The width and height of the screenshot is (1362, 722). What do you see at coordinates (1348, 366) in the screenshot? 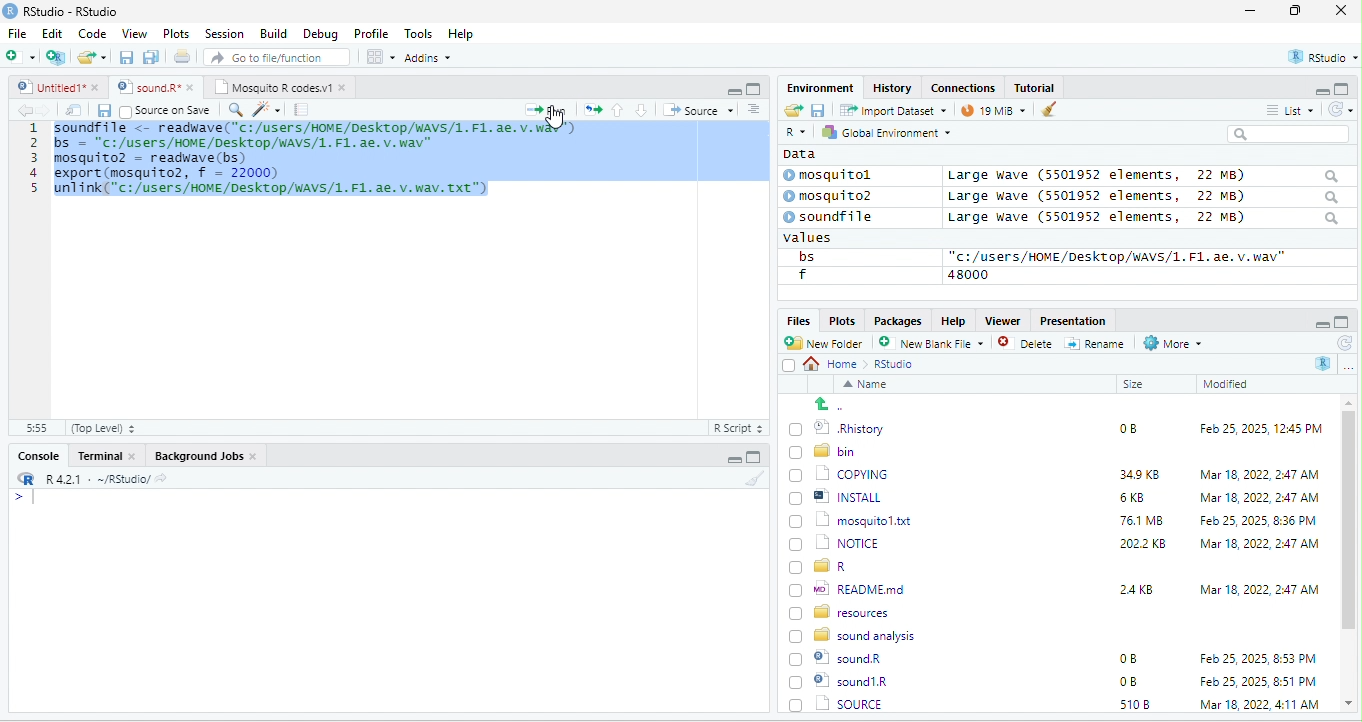
I see `more` at bounding box center [1348, 366].